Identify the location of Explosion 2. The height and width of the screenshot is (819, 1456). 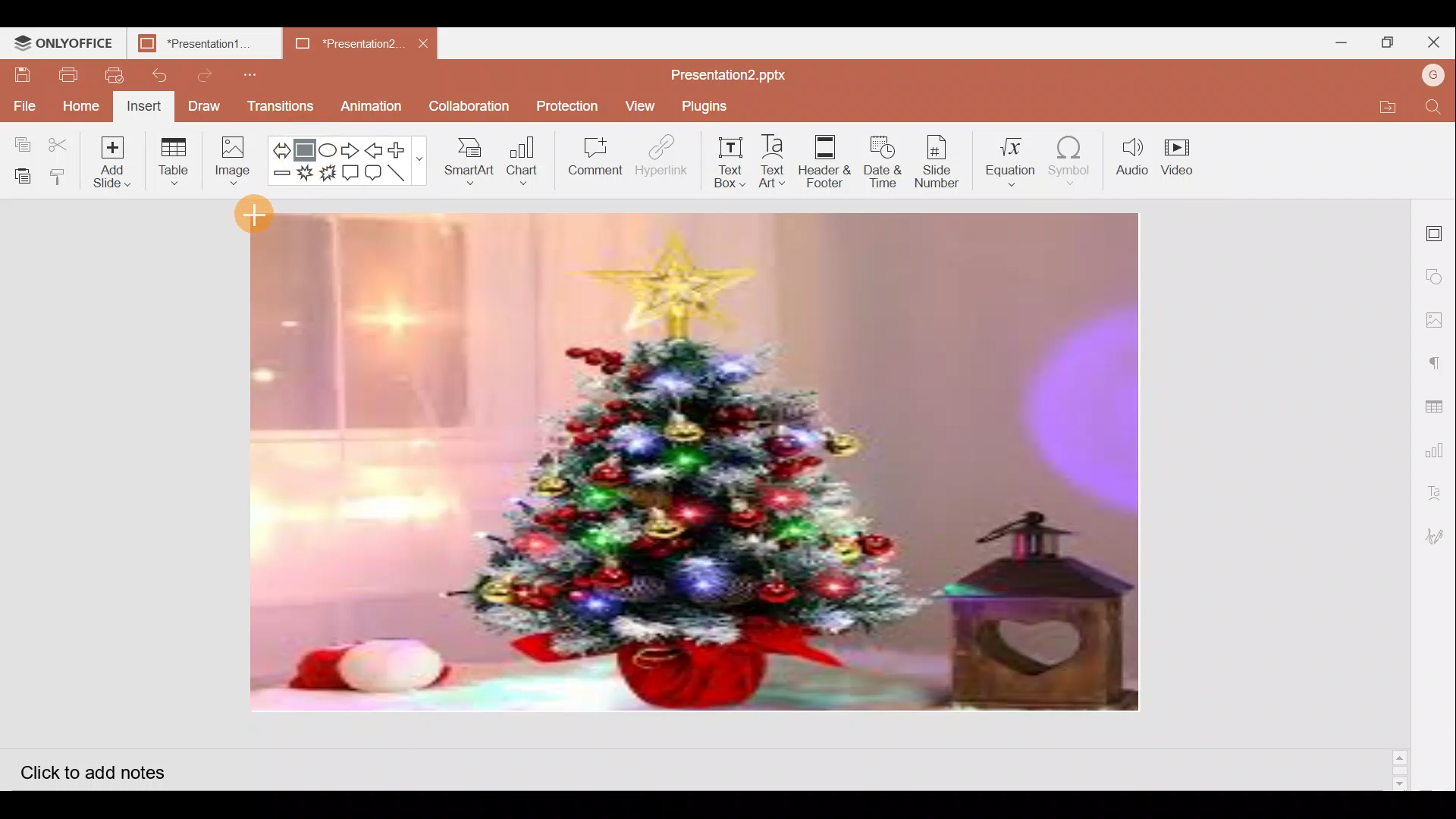
(328, 178).